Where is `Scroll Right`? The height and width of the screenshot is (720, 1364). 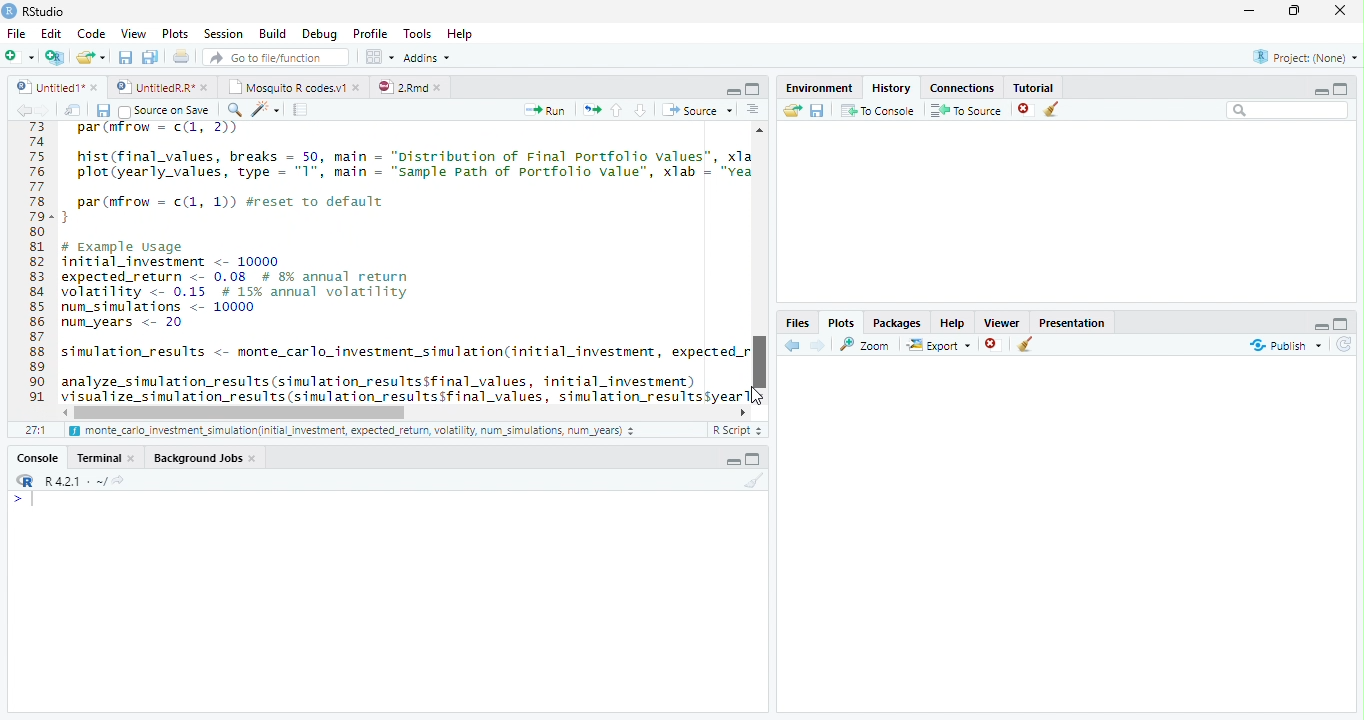
Scroll Right is located at coordinates (743, 411).